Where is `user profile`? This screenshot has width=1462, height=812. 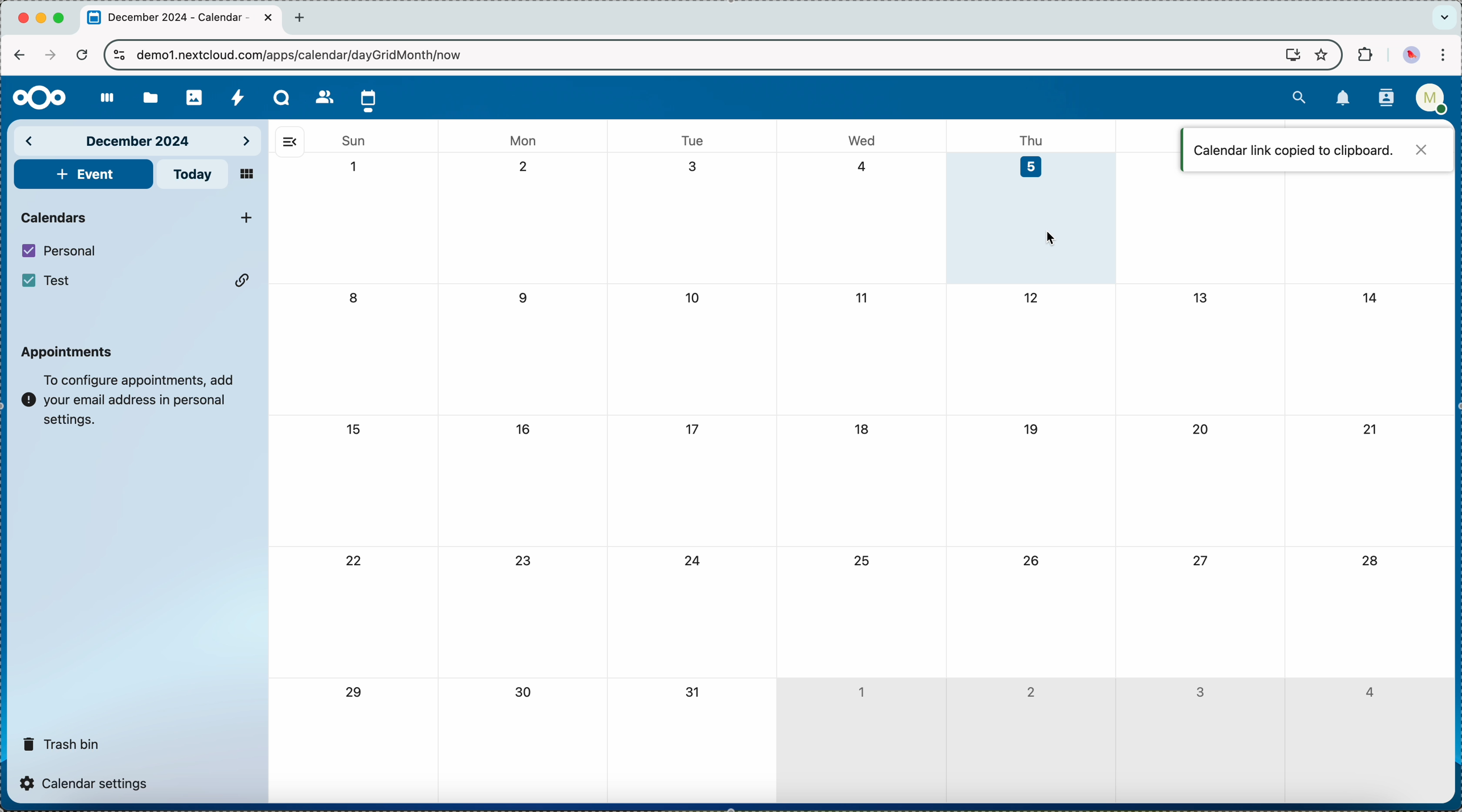
user profile is located at coordinates (1431, 102).